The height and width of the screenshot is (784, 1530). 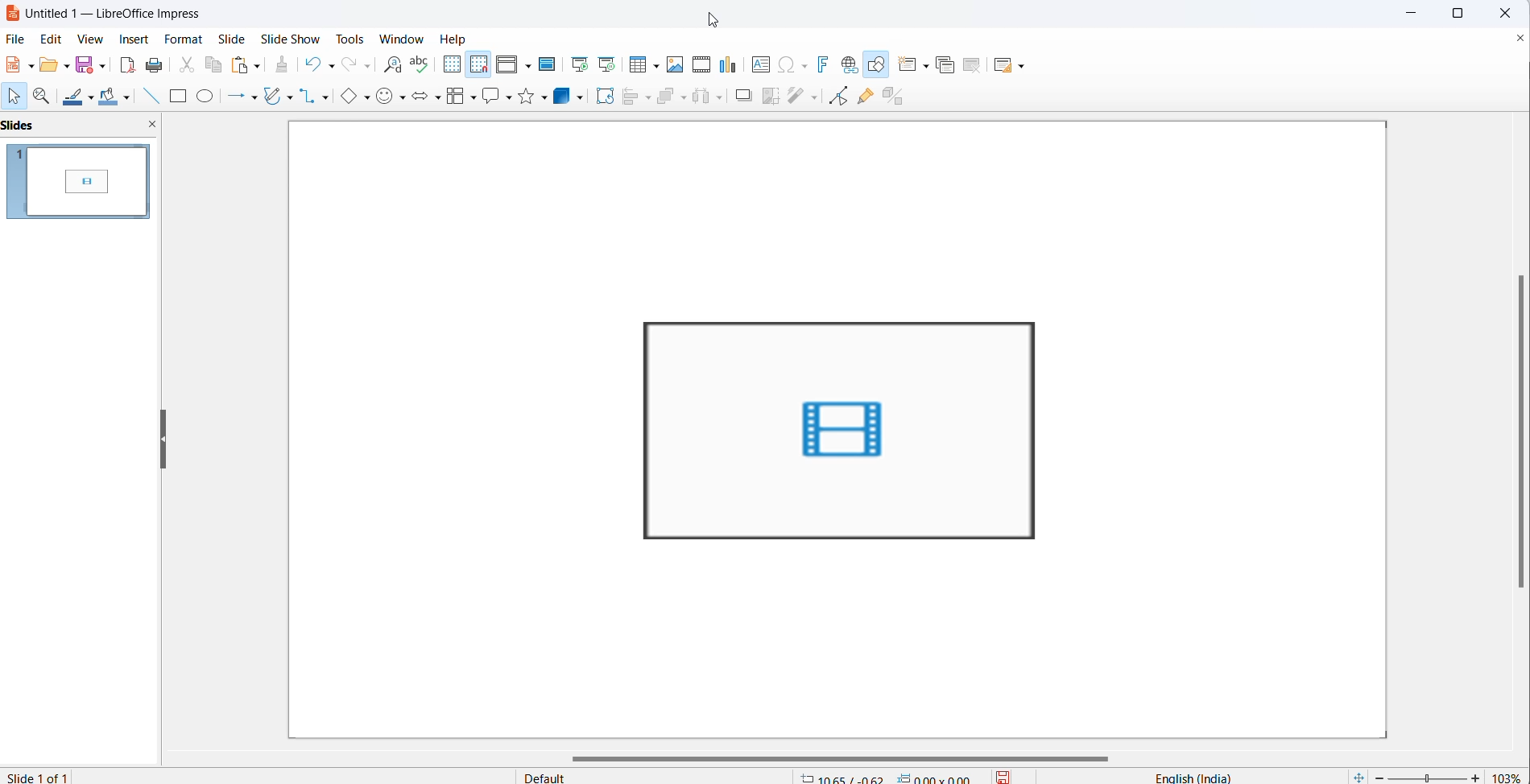 What do you see at coordinates (738, 95) in the screenshot?
I see `shadow` at bounding box center [738, 95].